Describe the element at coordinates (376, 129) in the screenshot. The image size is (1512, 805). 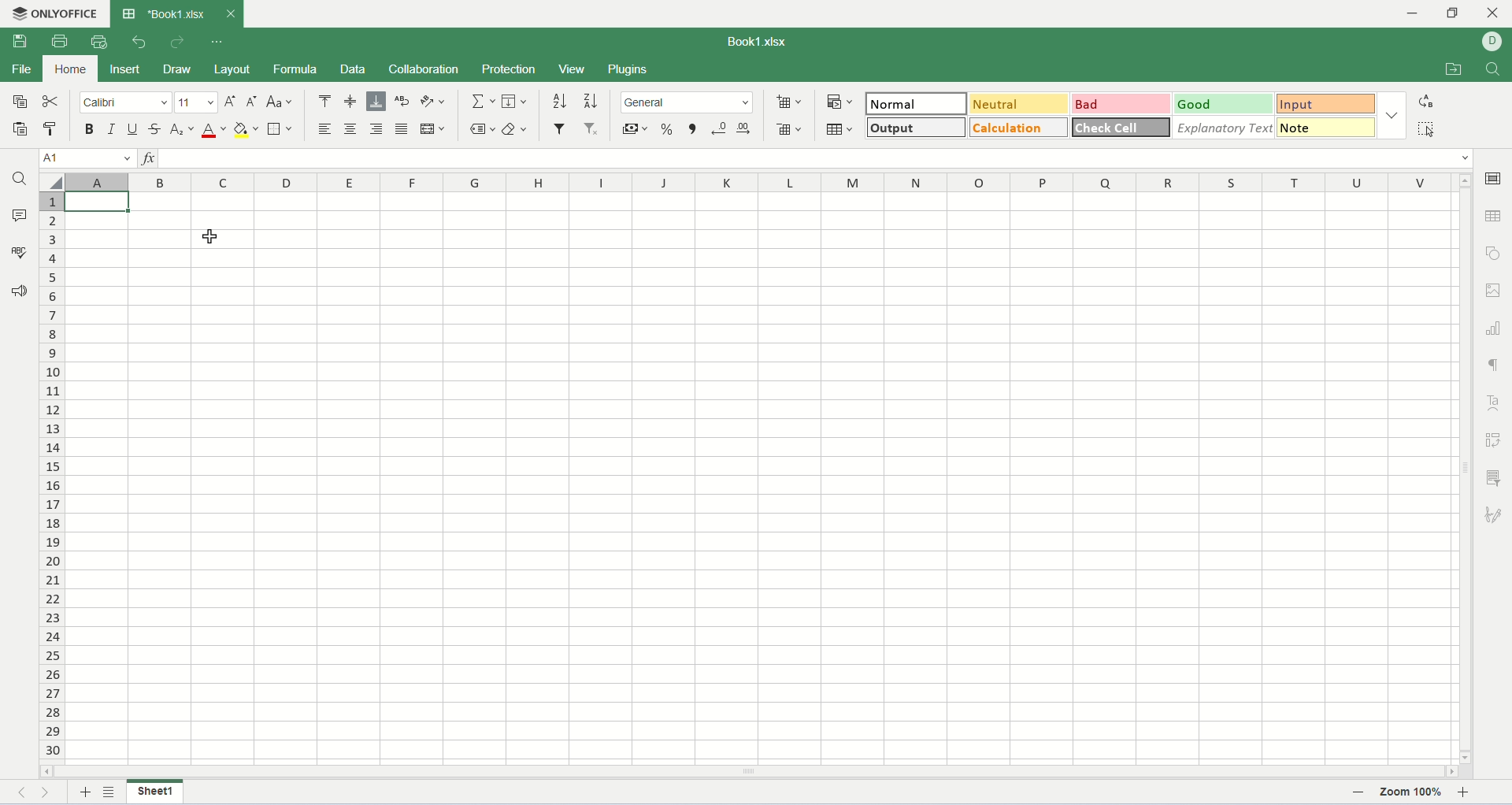
I see `align right` at that location.